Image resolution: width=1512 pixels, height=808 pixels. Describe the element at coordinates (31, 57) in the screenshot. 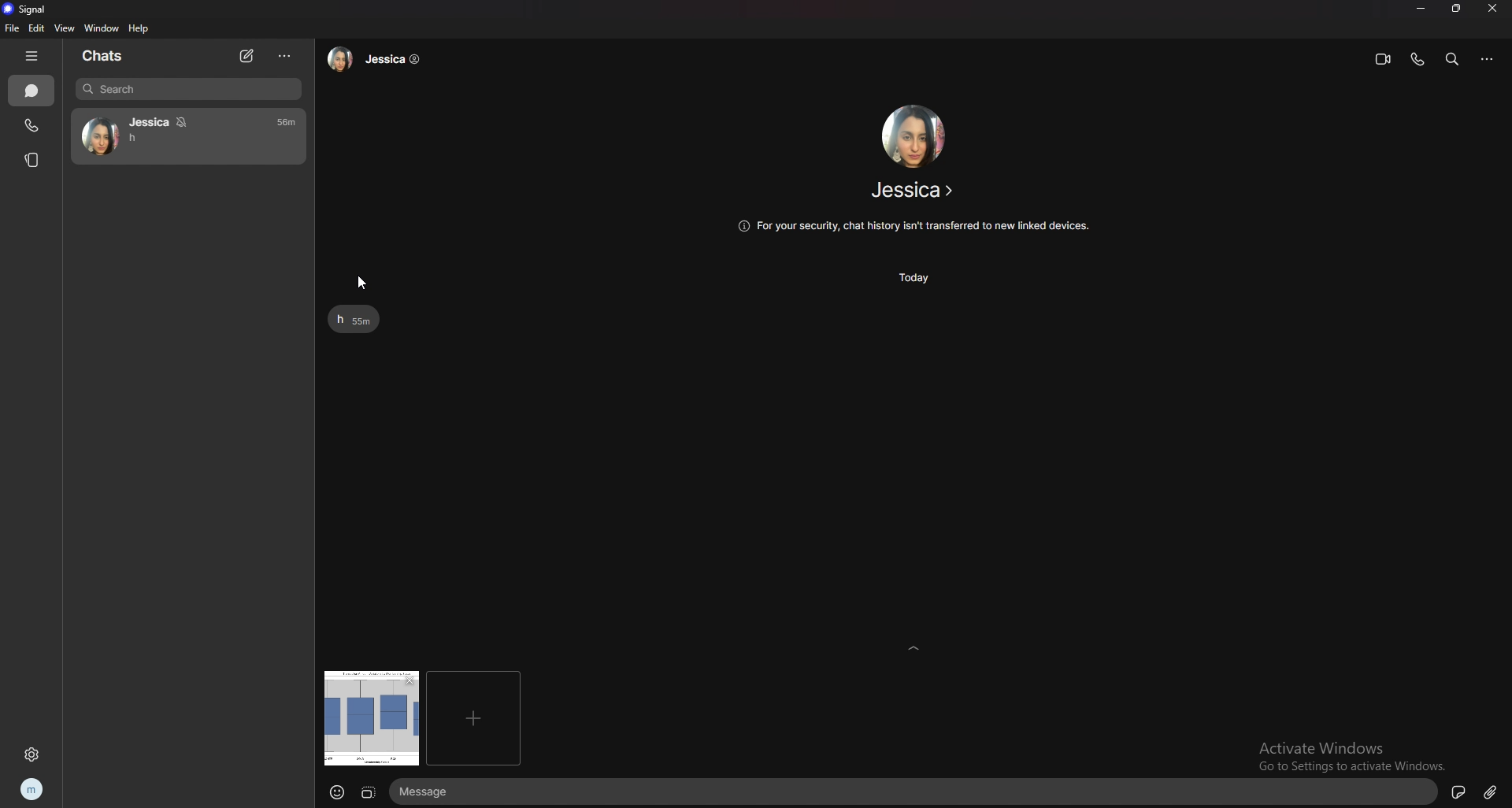

I see `hide tab` at that location.